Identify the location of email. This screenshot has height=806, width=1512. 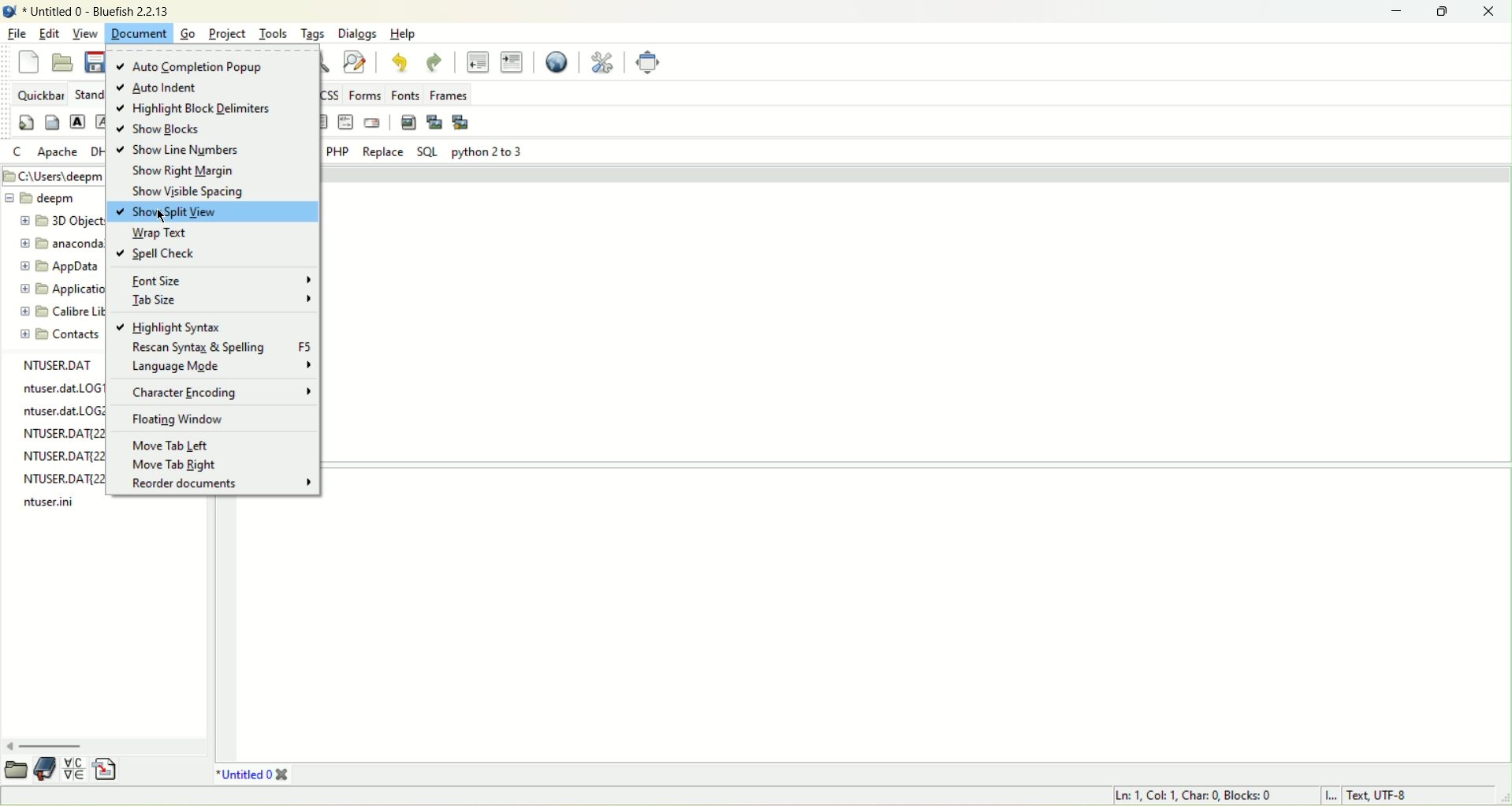
(374, 123).